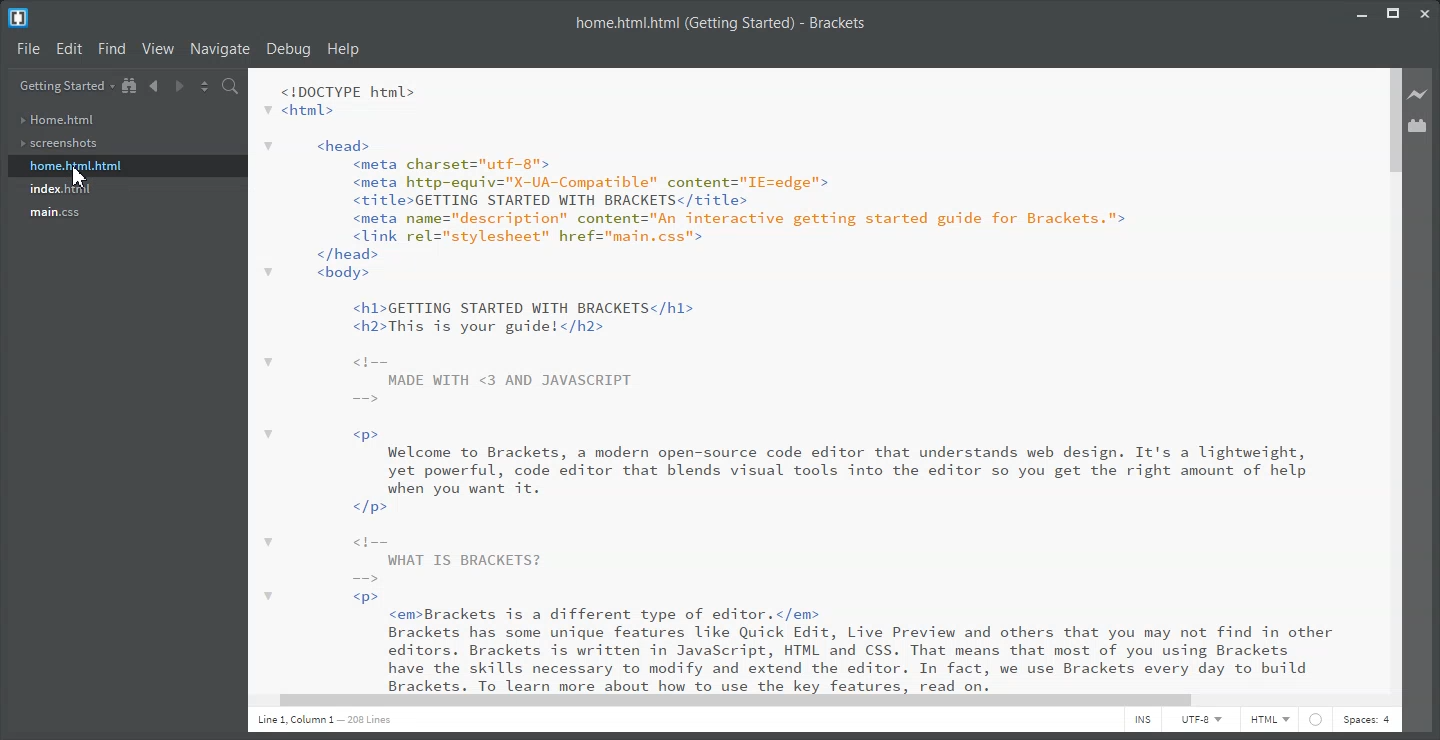 The width and height of the screenshot is (1440, 740). What do you see at coordinates (288, 49) in the screenshot?
I see `Debug` at bounding box center [288, 49].